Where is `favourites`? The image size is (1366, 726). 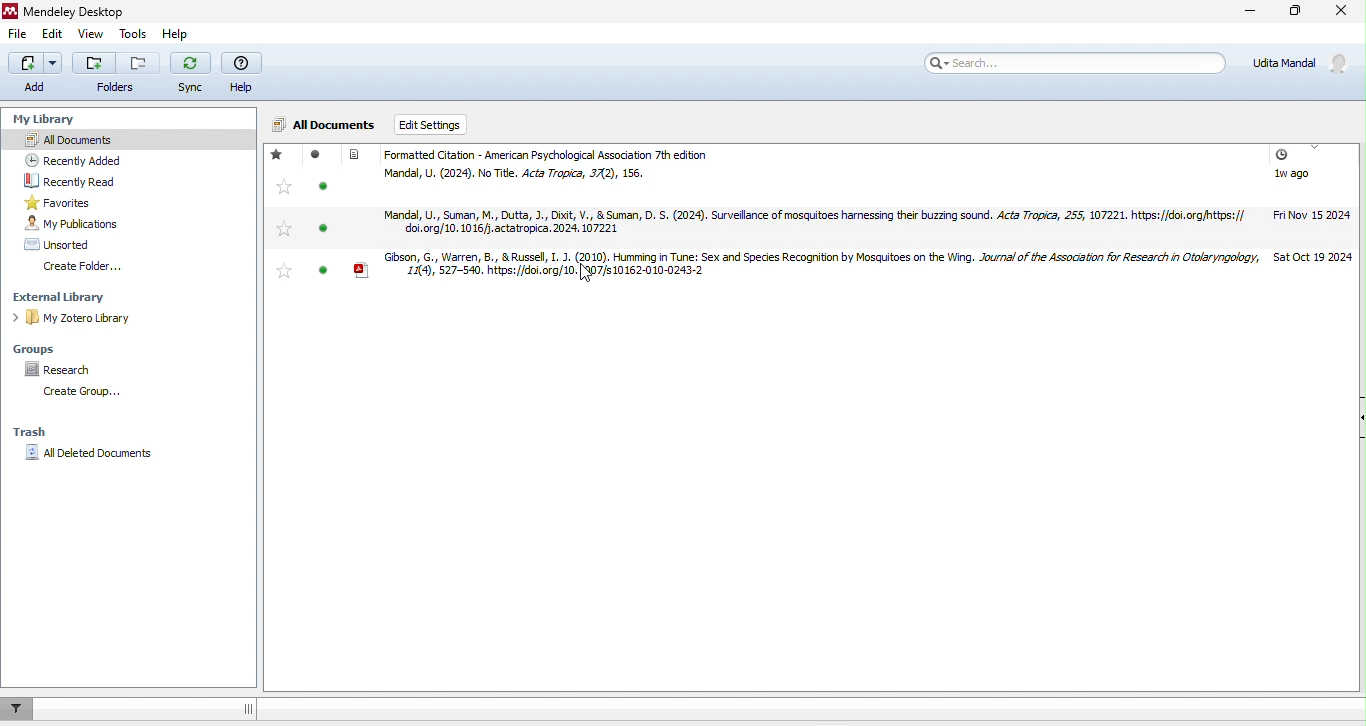 favourites is located at coordinates (80, 201).